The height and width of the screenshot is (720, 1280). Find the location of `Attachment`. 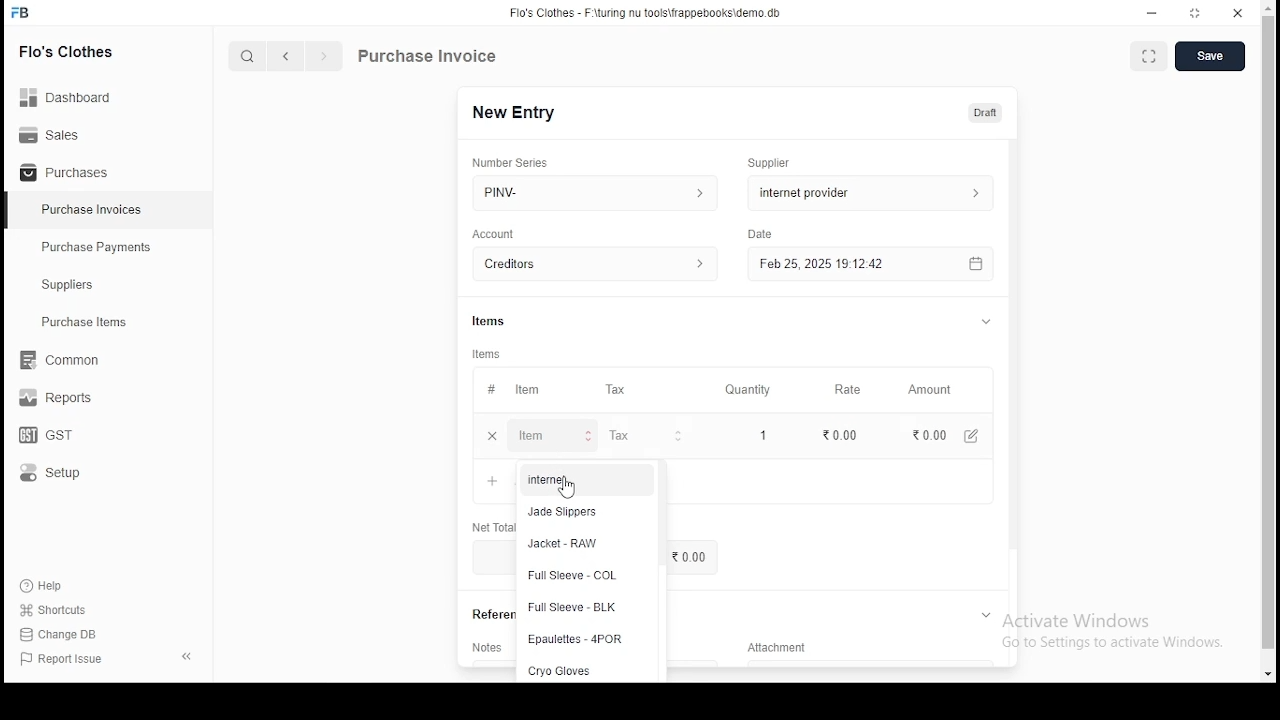

Attachment is located at coordinates (780, 649).